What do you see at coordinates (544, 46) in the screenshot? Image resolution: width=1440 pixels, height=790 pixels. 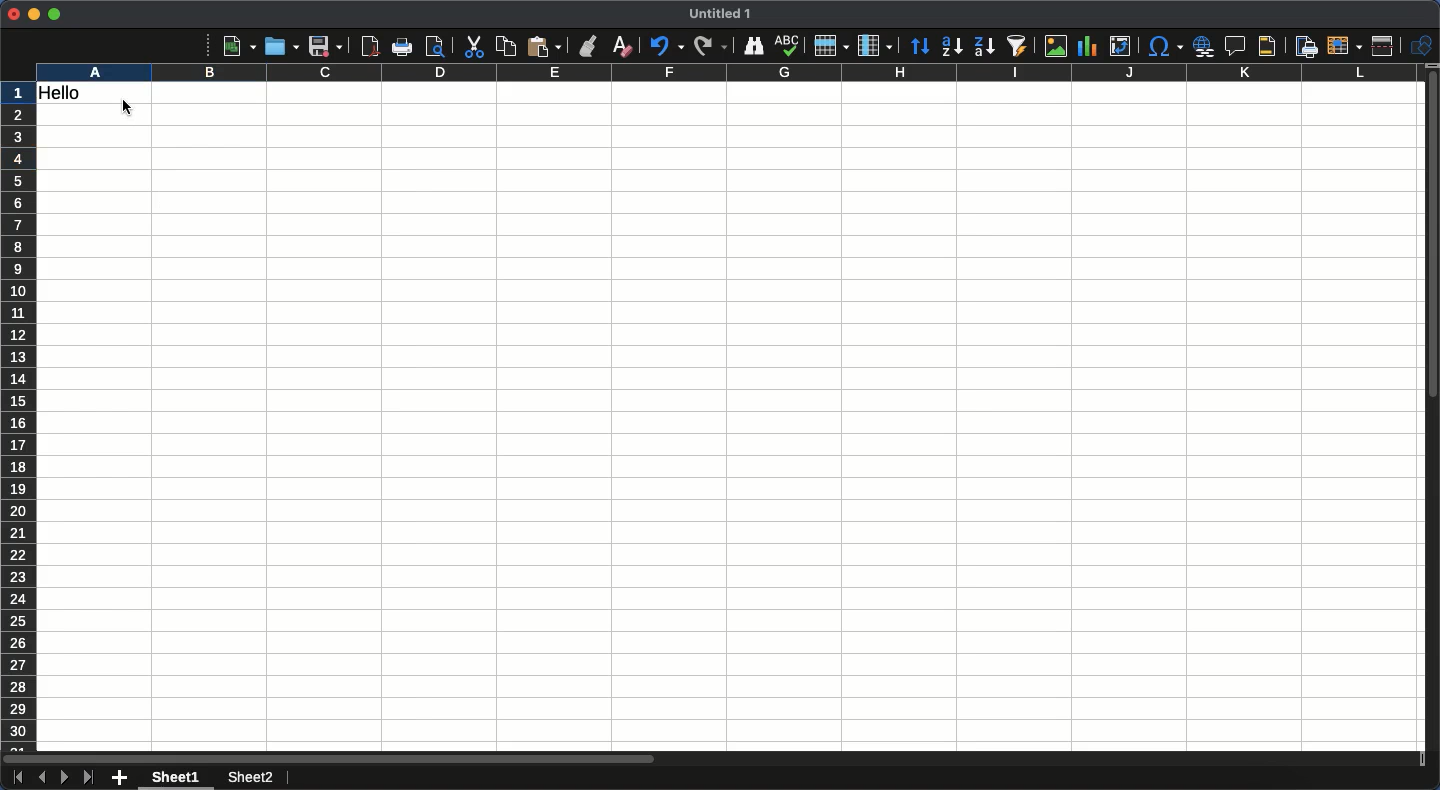 I see `Paste` at bounding box center [544, 46].